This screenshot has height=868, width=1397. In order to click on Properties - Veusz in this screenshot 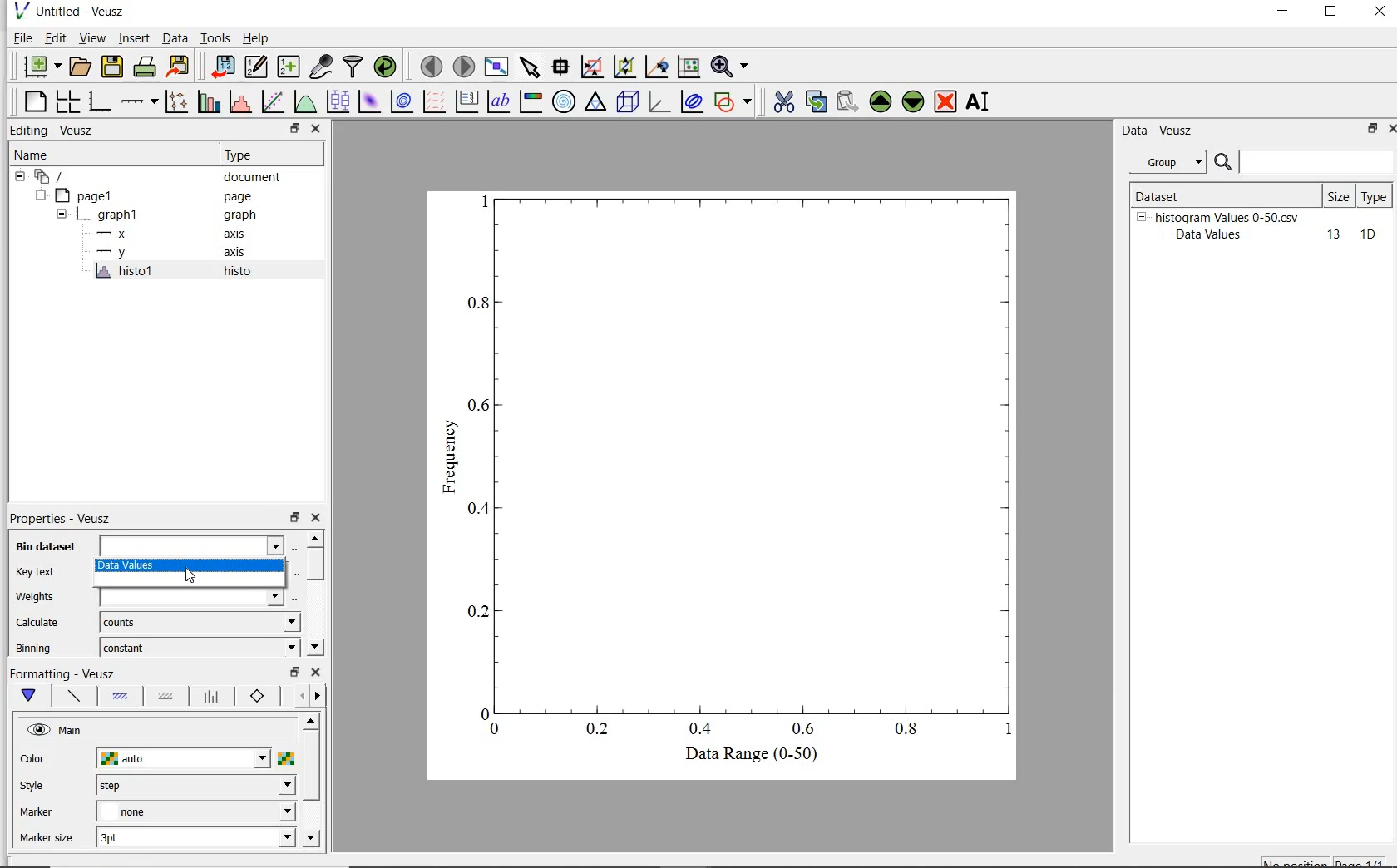, I will do `click(59, 517)`.